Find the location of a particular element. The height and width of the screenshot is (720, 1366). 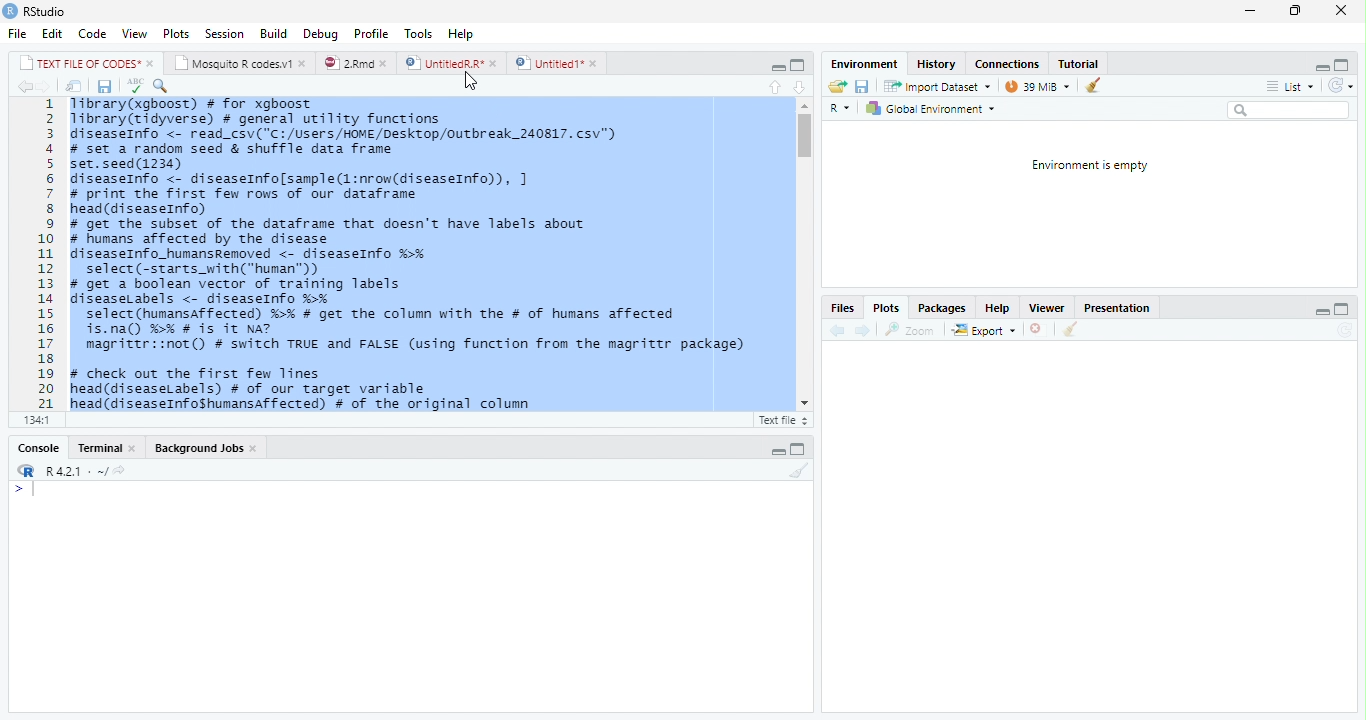

Environment is located at coordinates (859, 63).